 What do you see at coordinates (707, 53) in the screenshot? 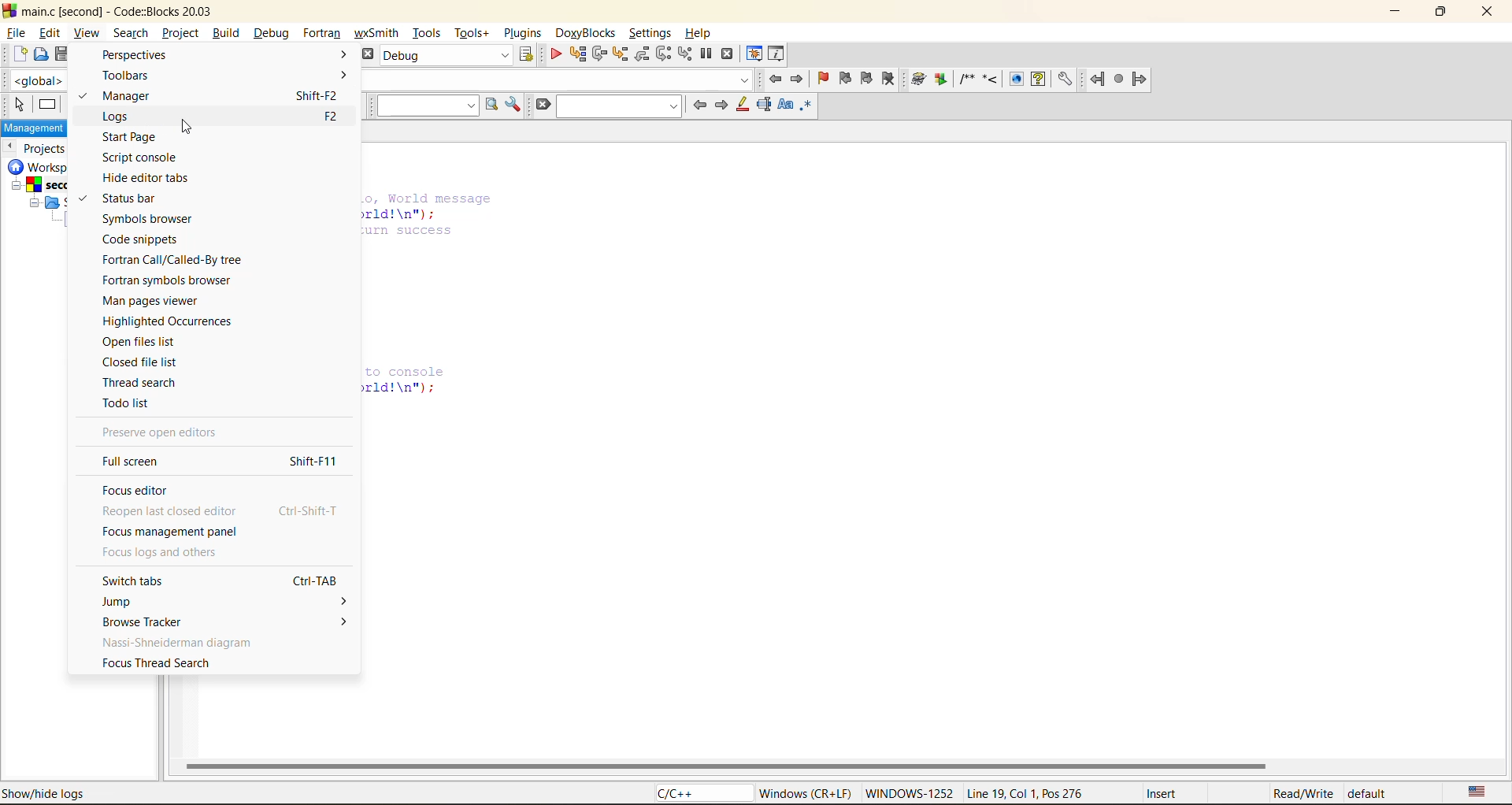
I see `break debugger` at bounding box center [707, 53].